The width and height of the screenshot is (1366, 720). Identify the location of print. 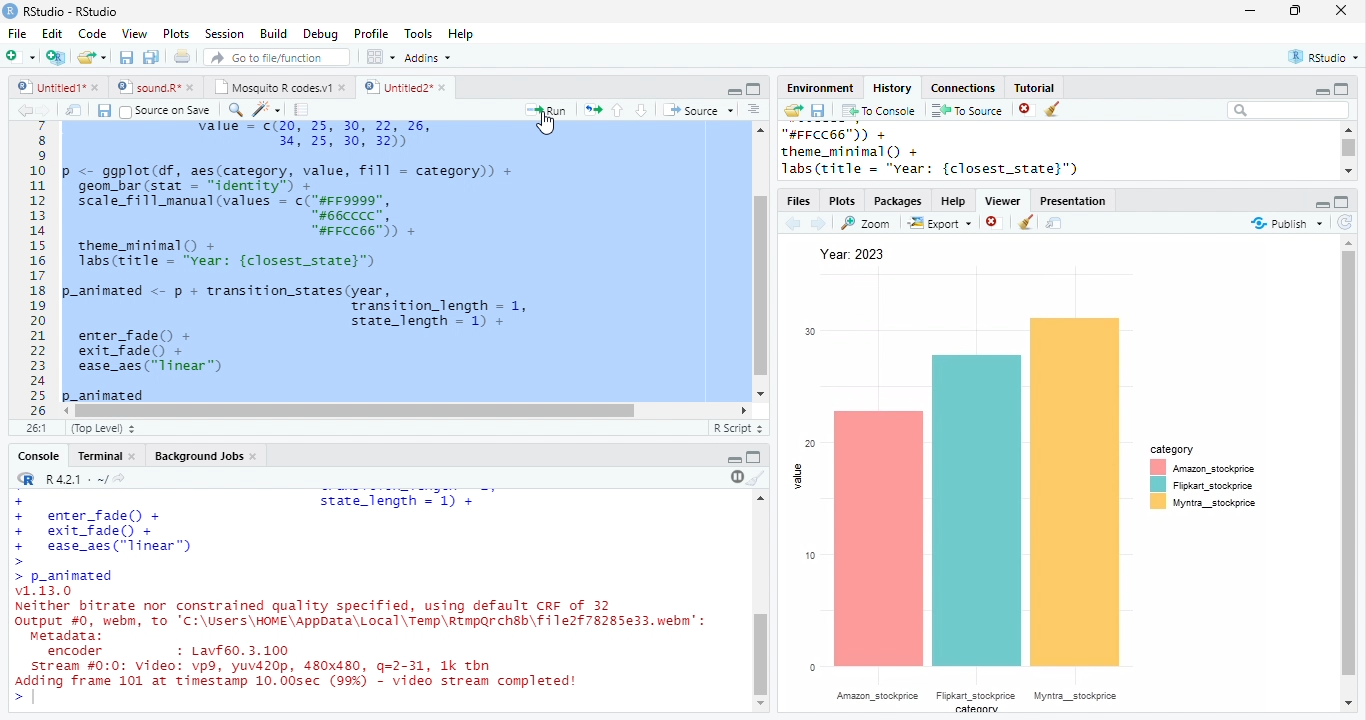
(181, 56).